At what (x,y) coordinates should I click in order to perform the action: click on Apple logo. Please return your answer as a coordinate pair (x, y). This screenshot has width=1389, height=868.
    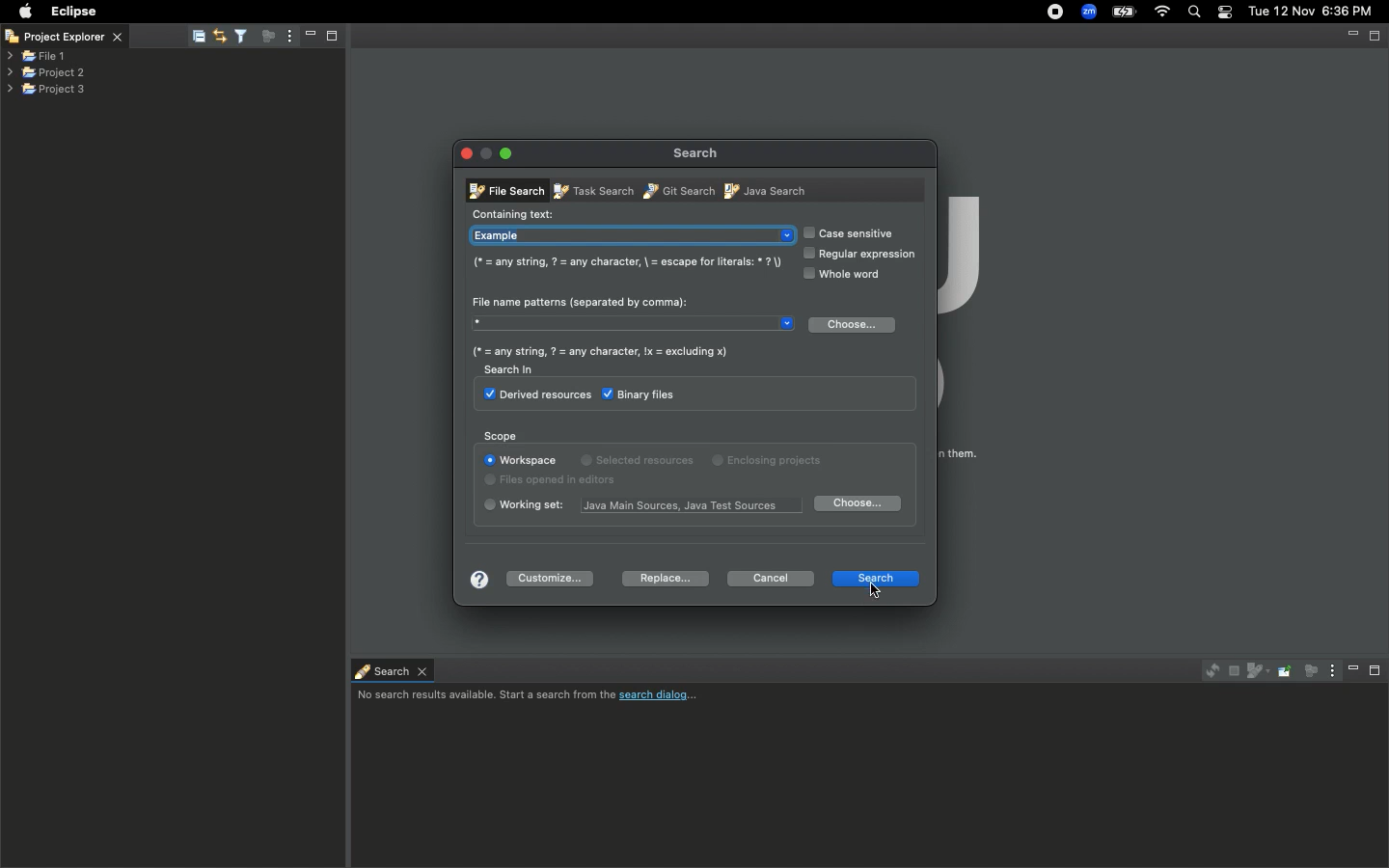
    Looking at the image, I should click on (25, 11).